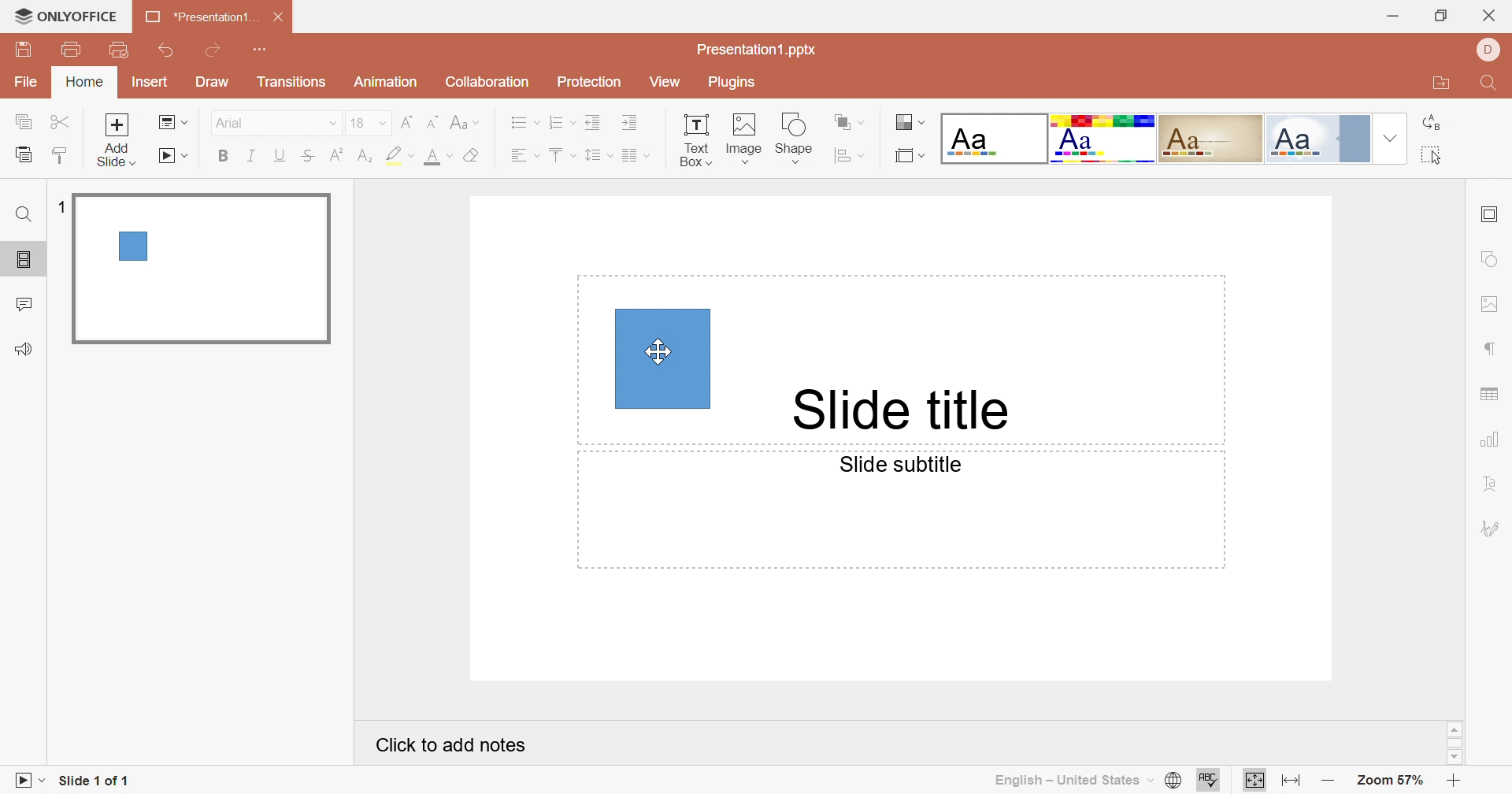  What do you see at coordinates (217, 84) in the screenshot?
I see `Draw` at bounding box center [217, 84].